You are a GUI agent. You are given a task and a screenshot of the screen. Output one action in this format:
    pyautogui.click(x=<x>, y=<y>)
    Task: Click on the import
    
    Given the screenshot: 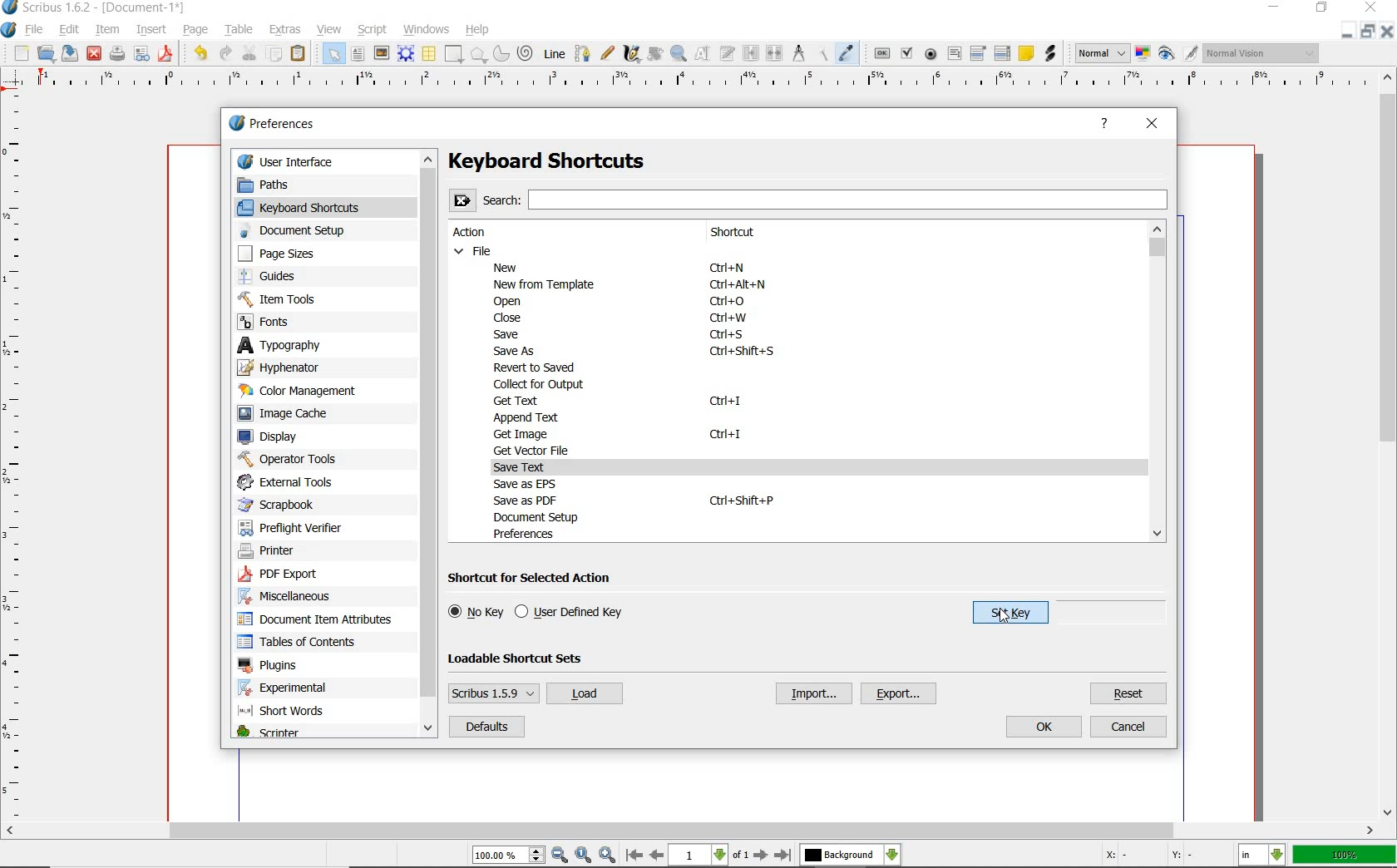 What is the action you would take?
    pyautogui.click(x=812, y=693)
    